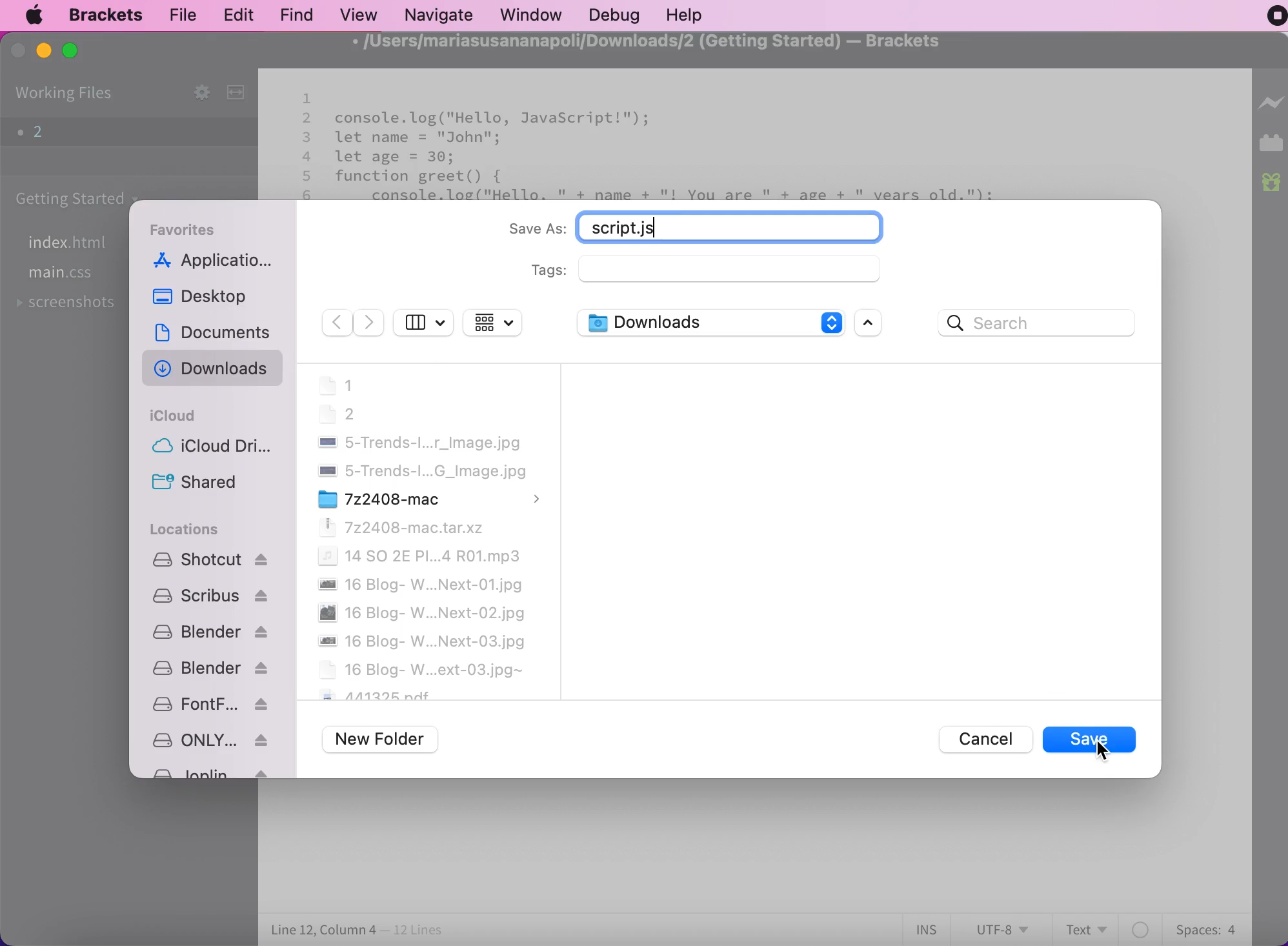 Image resolution: width=1288 pixels, height=946 pixels. Describe the element at coordinates (100, 15) in the screenshot. I see `brackets` at that location.